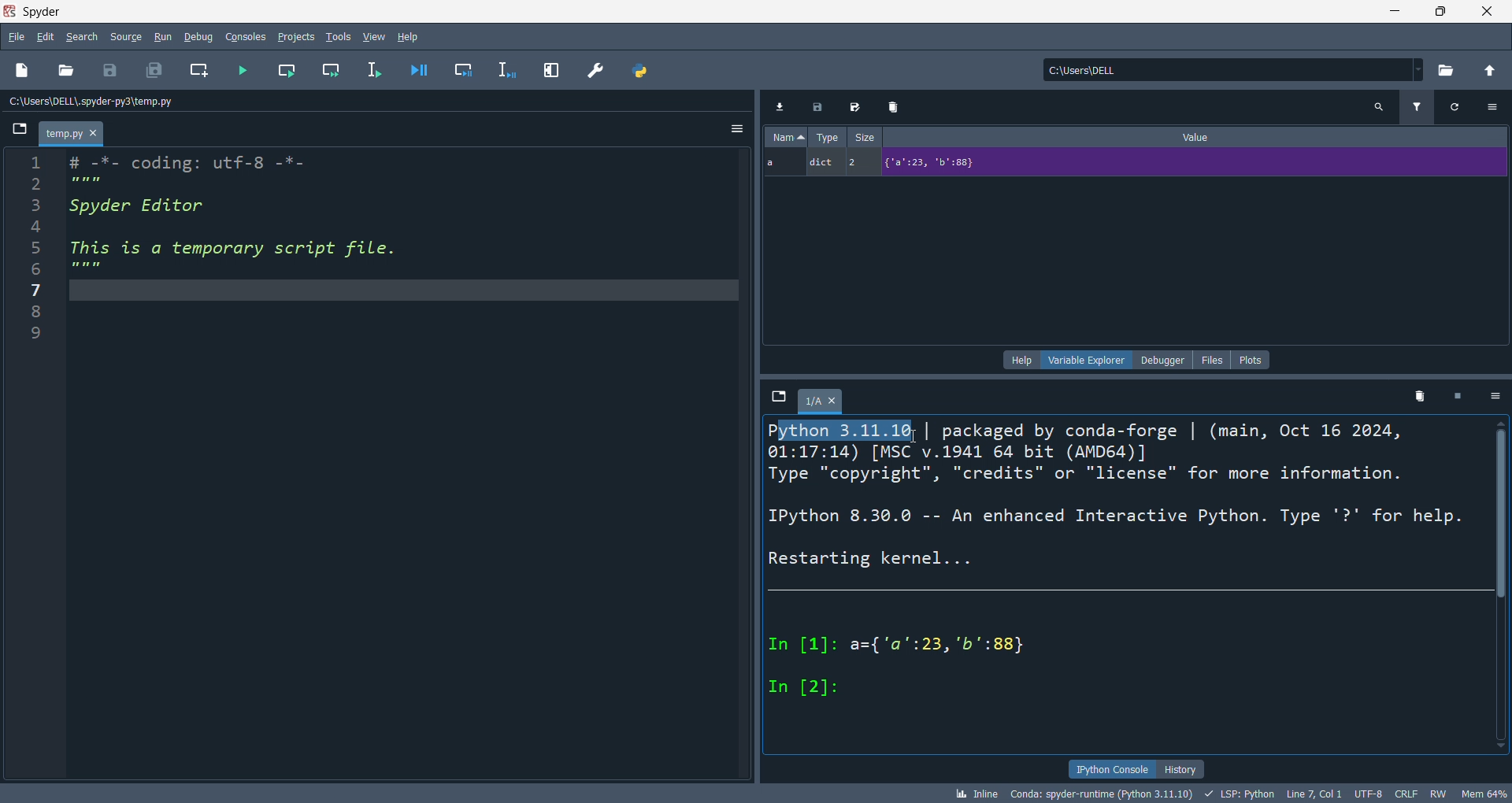 The height and width of the screenshot is (803, 1512). I want to click on debug cell, so click(471, 69).